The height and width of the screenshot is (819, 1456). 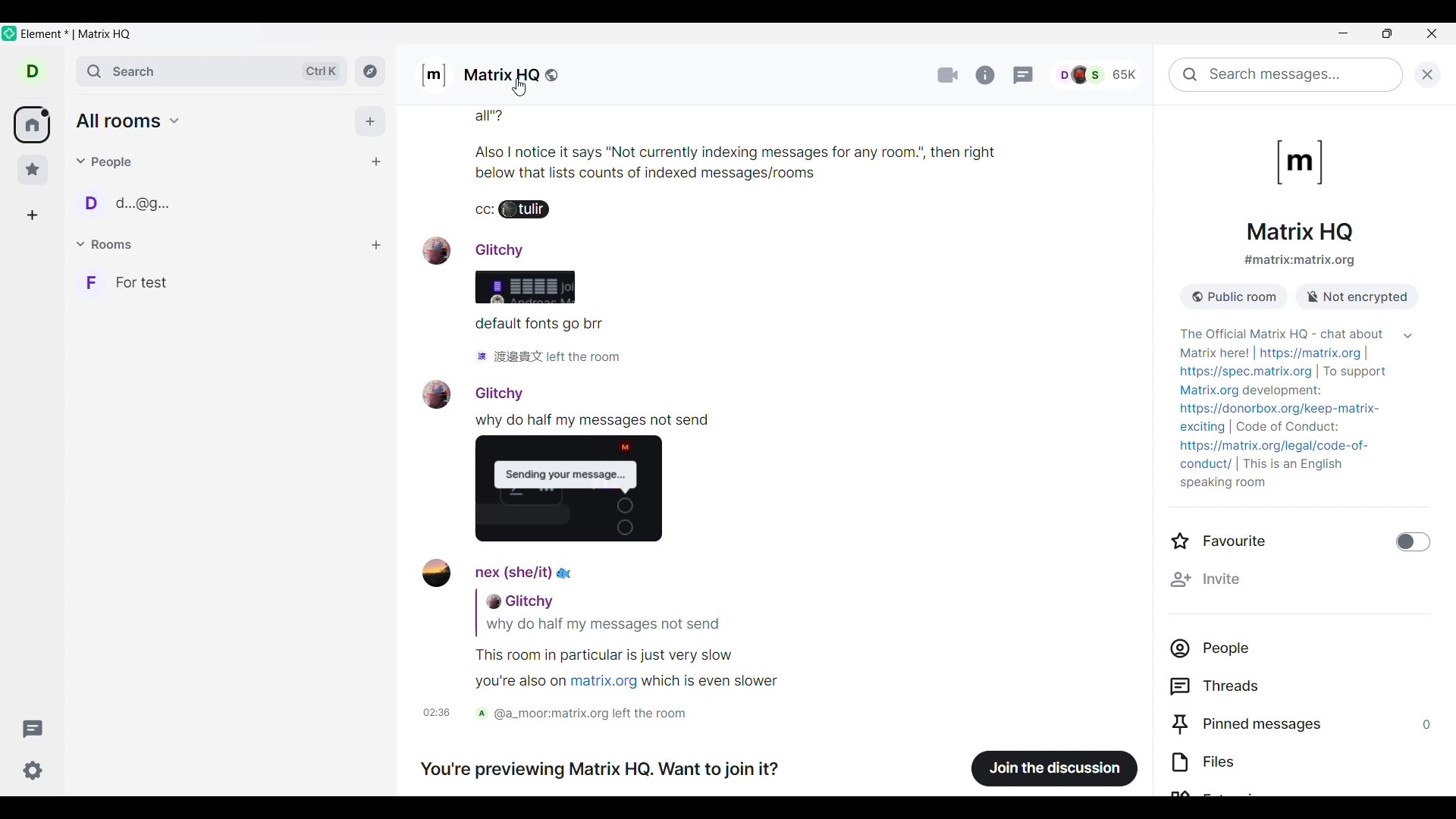 What do you see at coordinates (1282, 403) in the screenshot?
I see `The official Matrix HQ - chat about Matrix here! | https://matrix.org | https://spec.matrix.org development: https://donorbox.org/keep-matrix-exciting | Code of Conduct: https://matrix.org/legal/code-of-conduct/| This is an English speaking room` at bounding box center [1282, 403].